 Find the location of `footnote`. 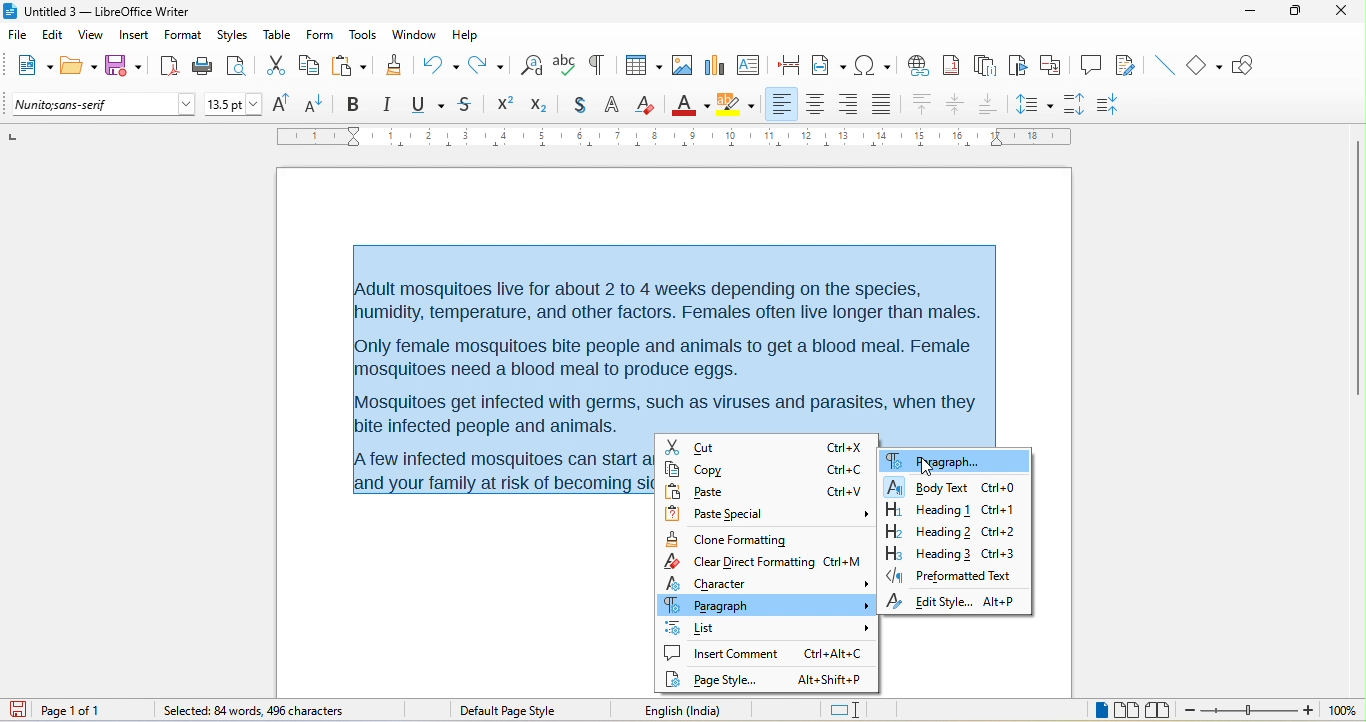

footnote is located at coordinates (951, 64).